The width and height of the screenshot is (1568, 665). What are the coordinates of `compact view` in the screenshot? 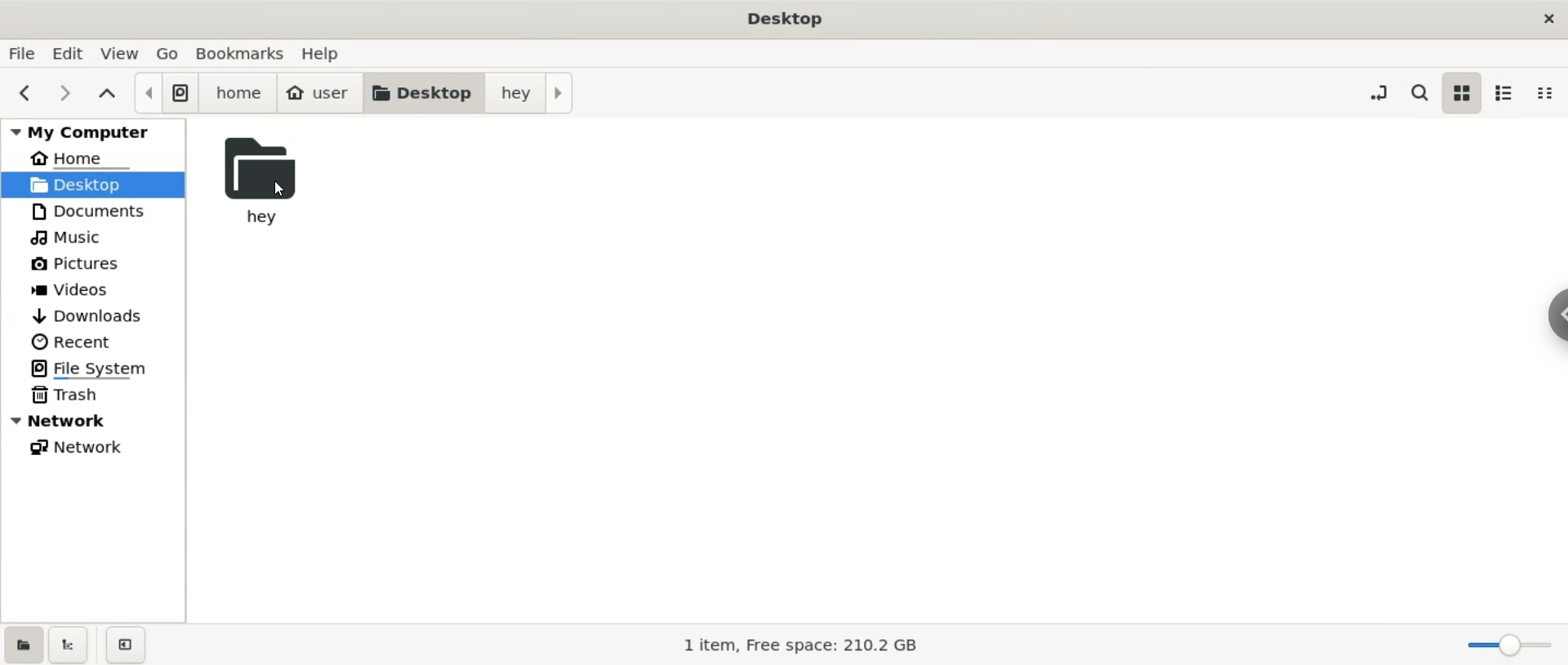 It's located at (1550, 92).